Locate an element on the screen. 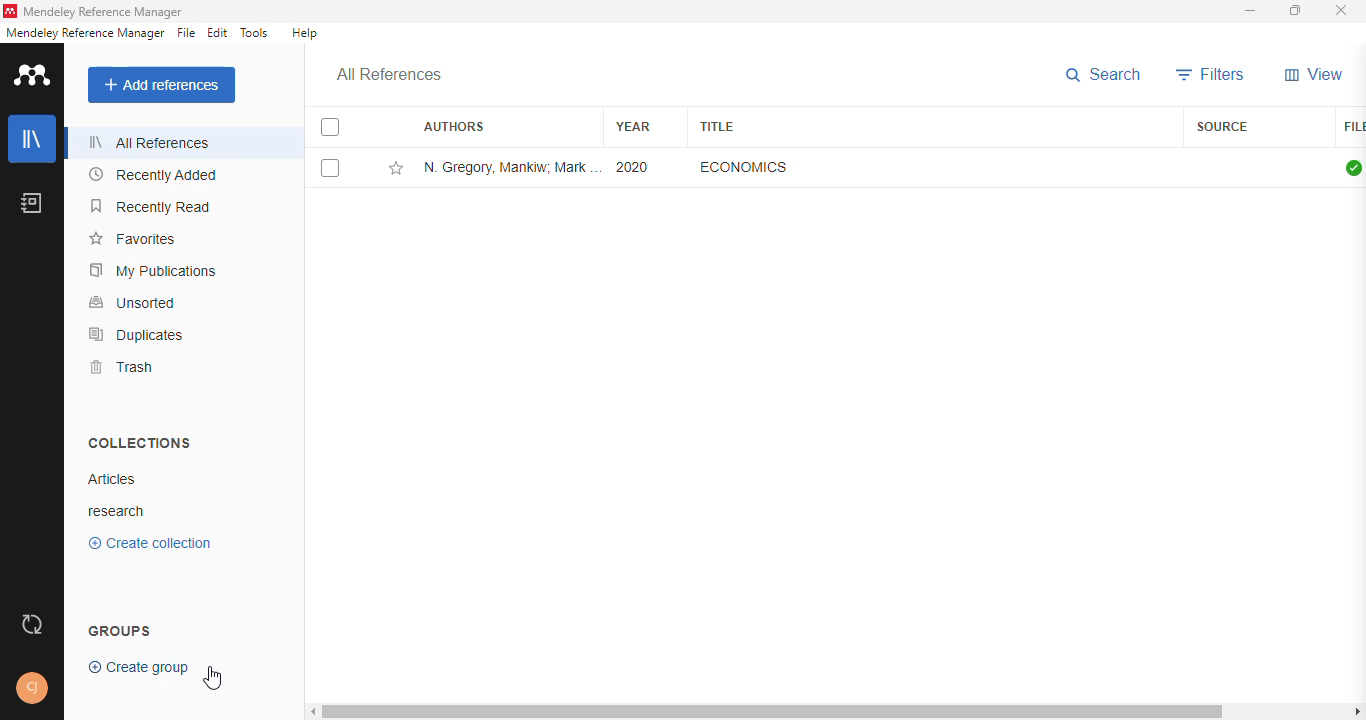  profile is located at coordinates (32, 689).